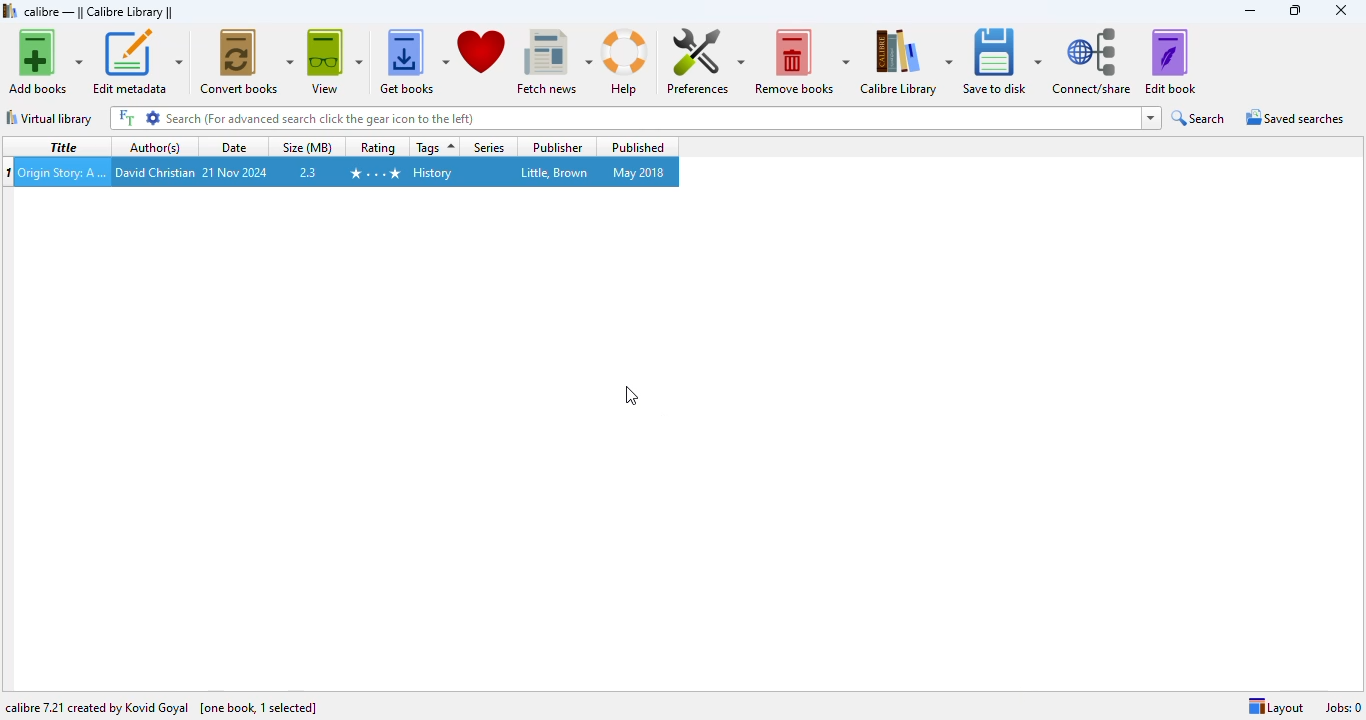  What do you see at coordinates (1252, 11) in the screenshot?
I see `minimize` at bounding box center [1252, 11].